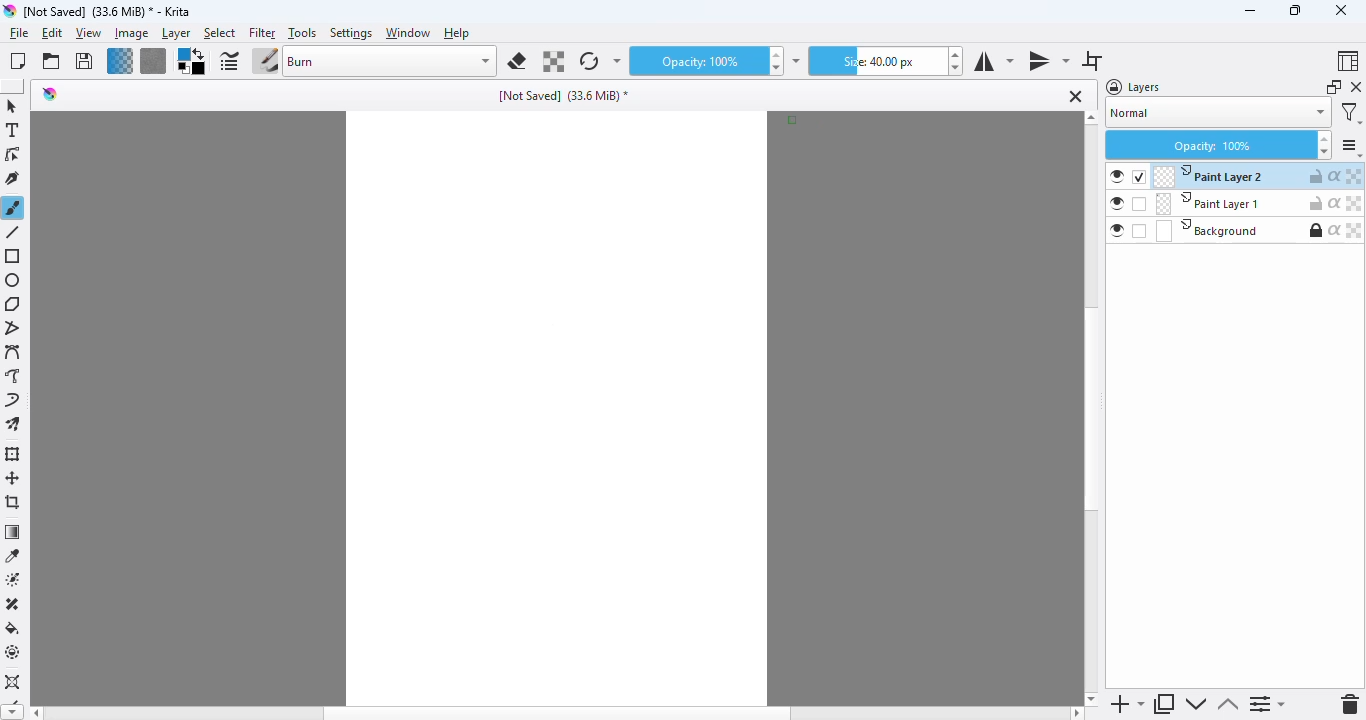 The image size is (1366, 720). What do you see at coordinates (1077, 713) in the screenshot?
I see `scroll left` at bounding box center [1077, 713].